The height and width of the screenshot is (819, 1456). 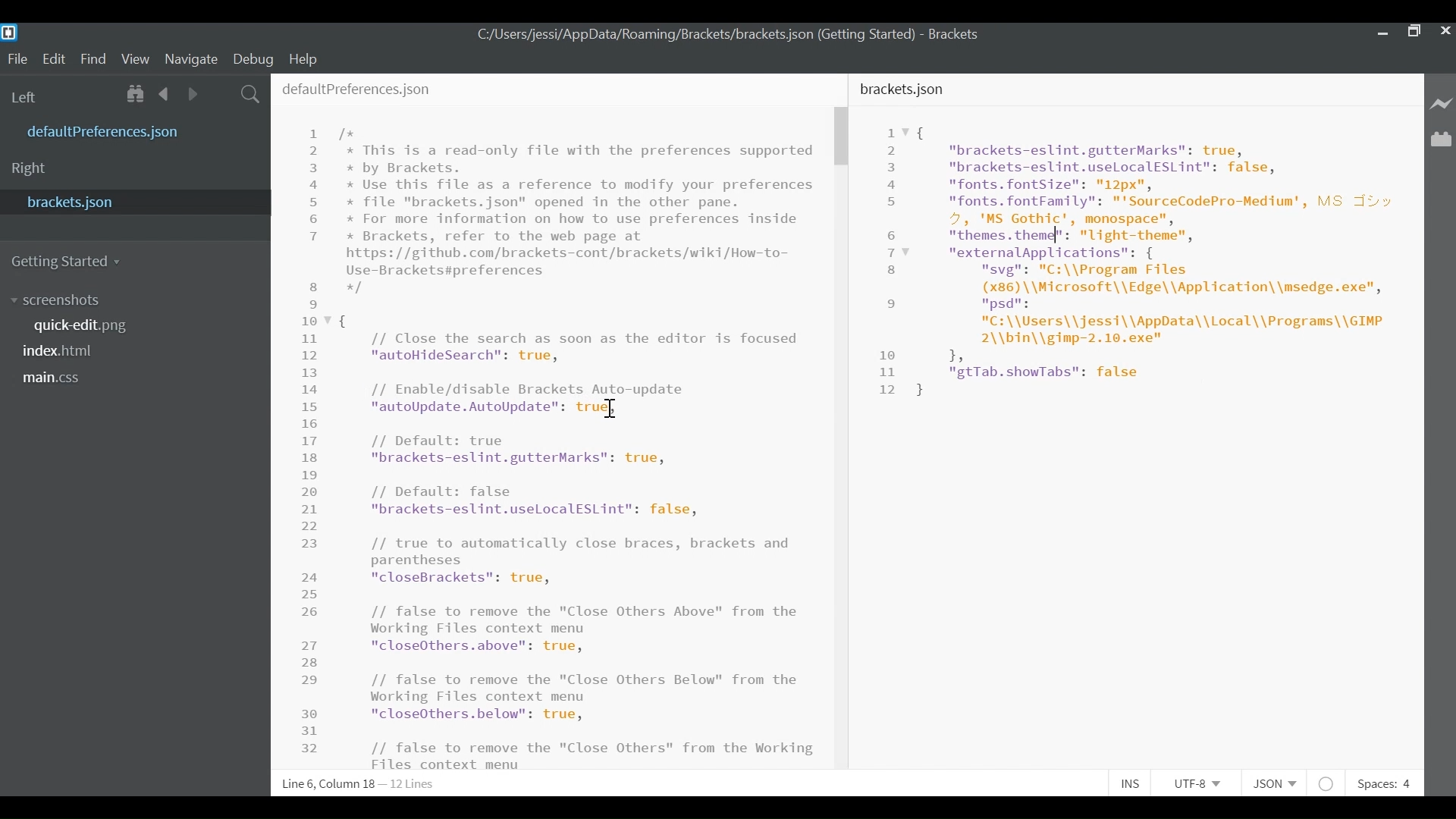 I want to click on Close, so click(x=1446, y=31).